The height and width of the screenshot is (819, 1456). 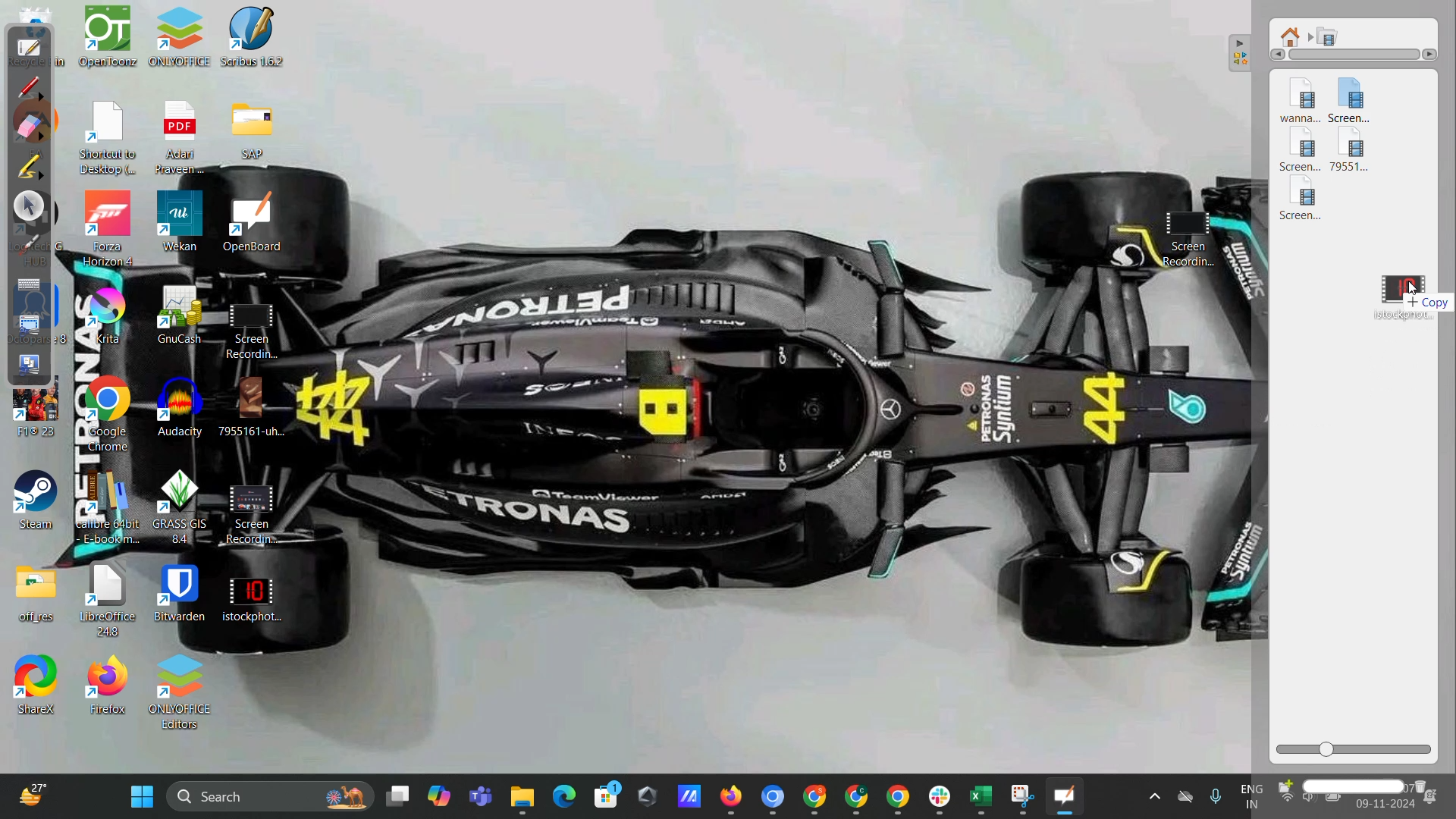 What do you see at coordinates (33, 86) in the screenshot?
I see `annotate document` at bounding box center [33, 86].